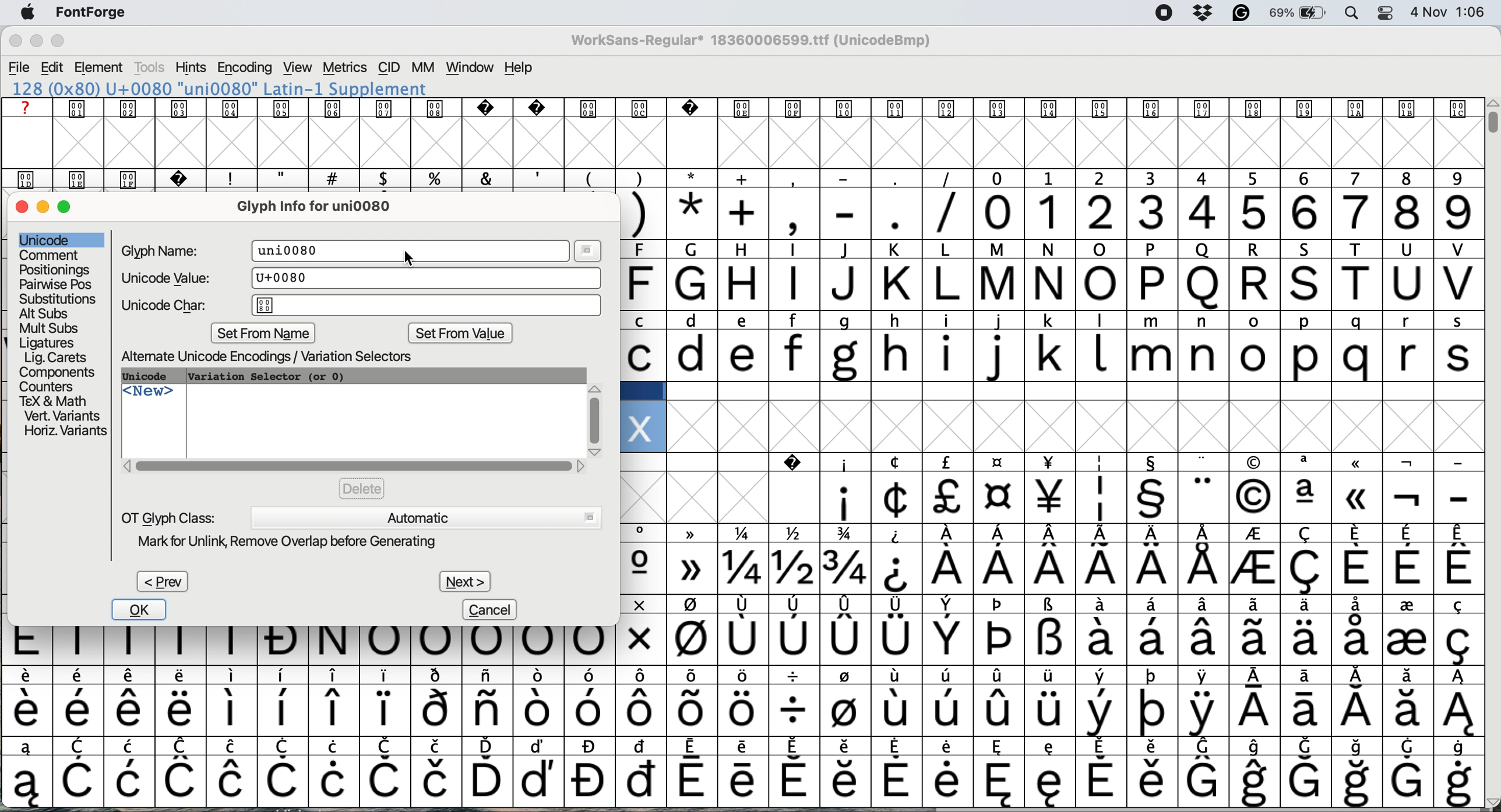  I want to click on special characters, so click(745, 745).